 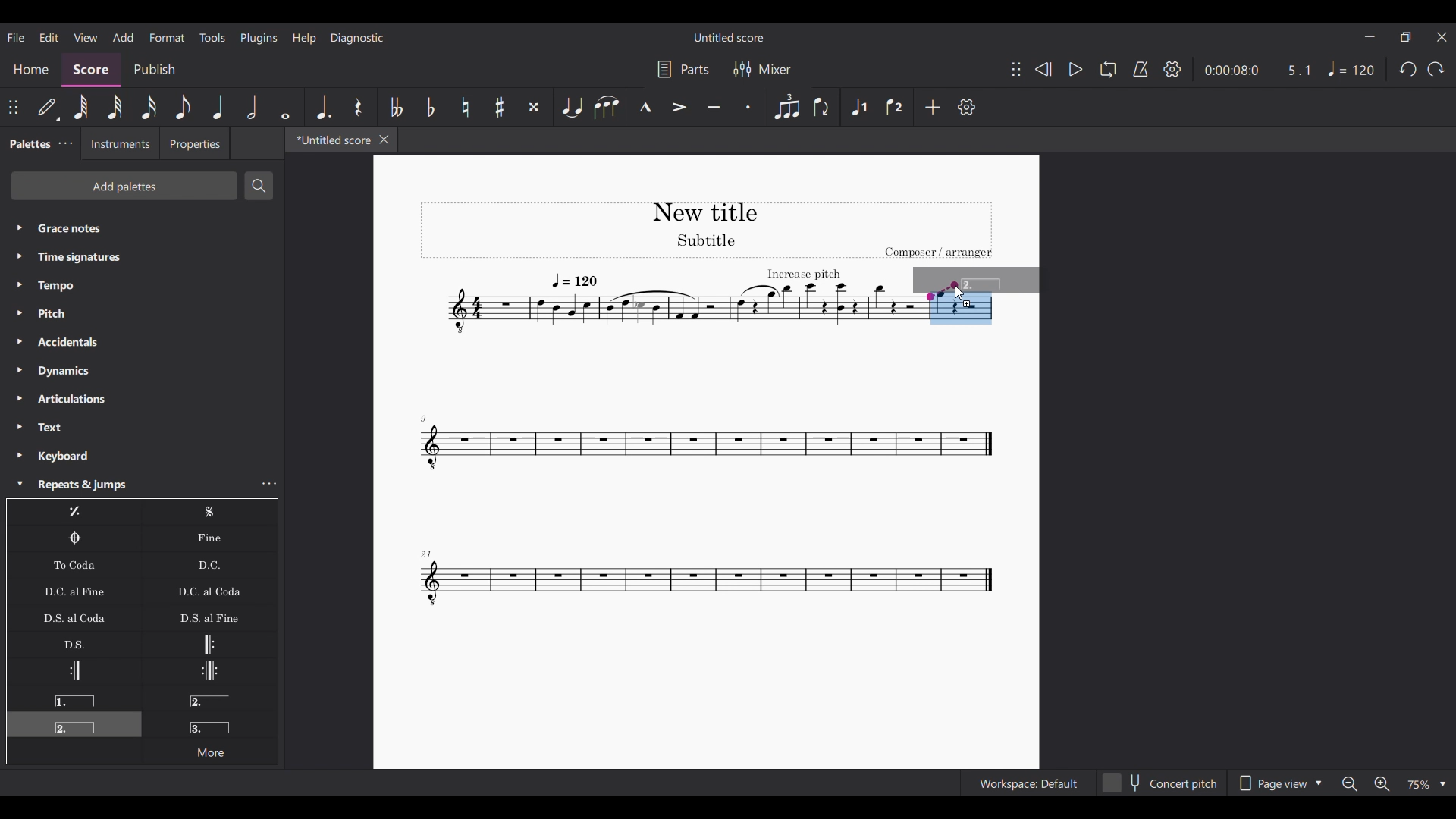 I want to click on Close , so click(x=384, y=140).